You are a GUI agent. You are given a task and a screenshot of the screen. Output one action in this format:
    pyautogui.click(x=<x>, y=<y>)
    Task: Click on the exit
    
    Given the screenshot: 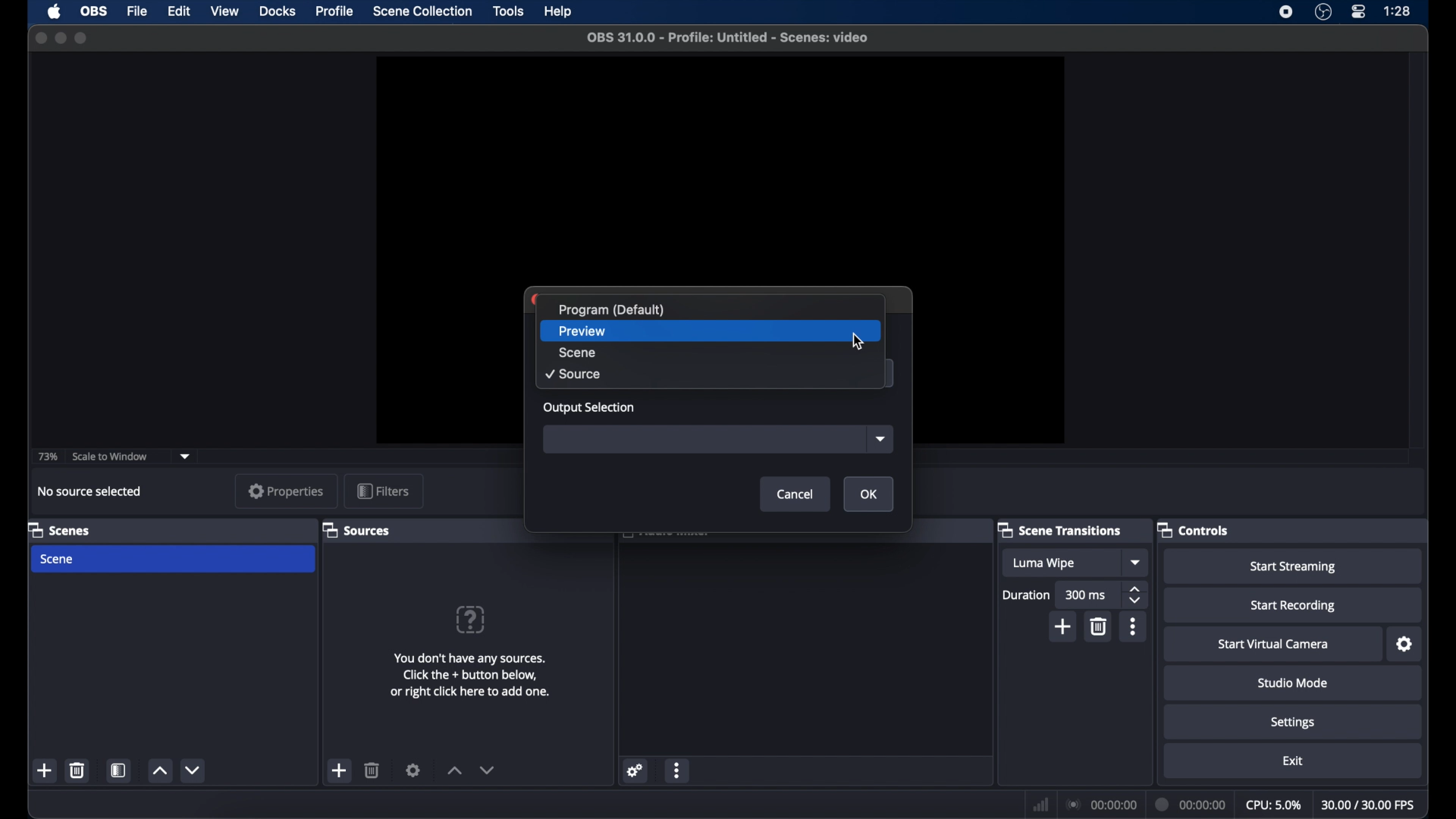 What is the action you would take?
    pyautogui.click(x=1292, y=761)
    